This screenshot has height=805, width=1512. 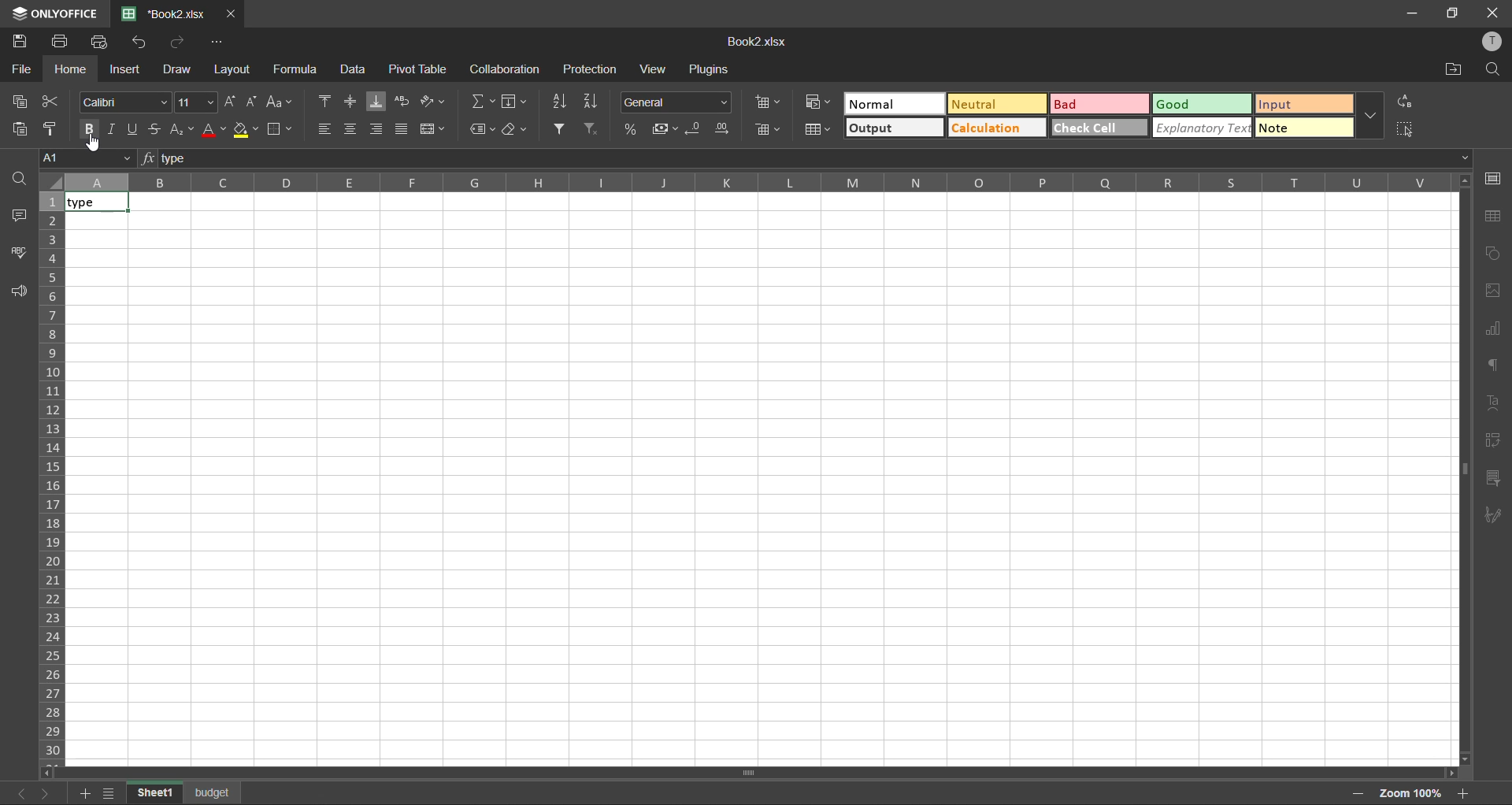 I want to click on align left, so click(x=324, y=129).